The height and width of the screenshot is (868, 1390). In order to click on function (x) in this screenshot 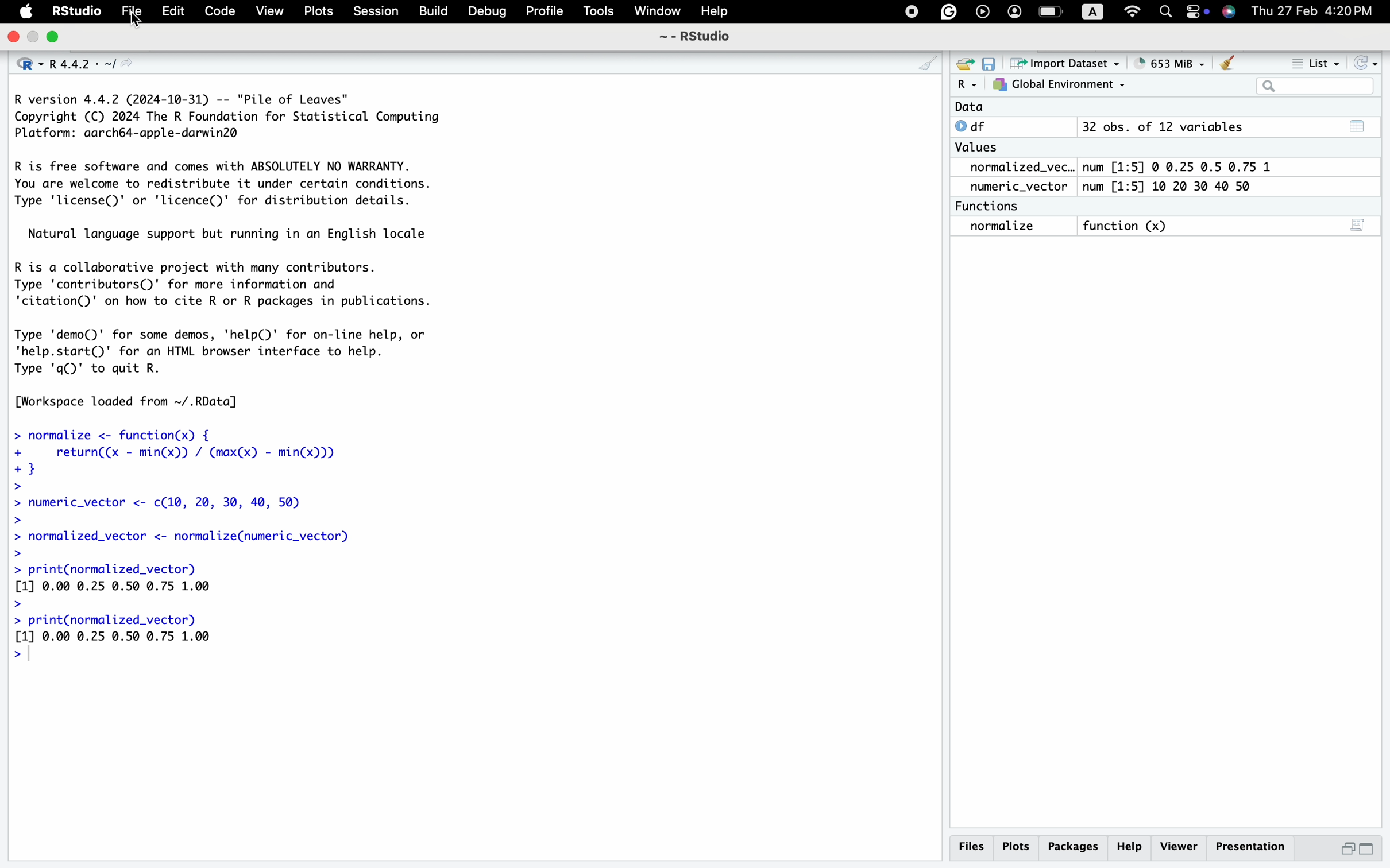, I will do `click(1129, 227)`.